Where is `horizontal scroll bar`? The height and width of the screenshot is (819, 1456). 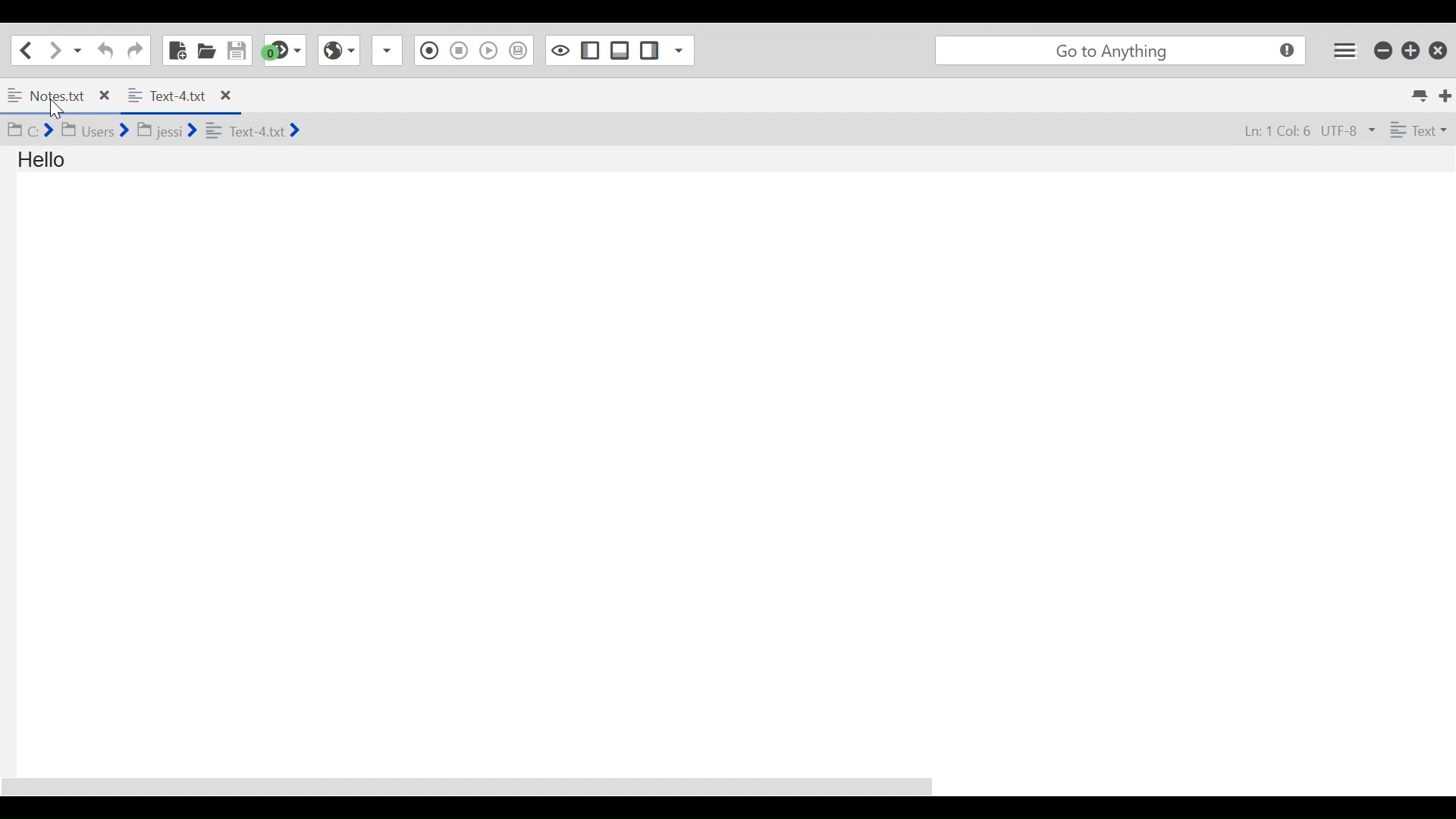
horizontal scroll bar is located at coordinates (485, 780).